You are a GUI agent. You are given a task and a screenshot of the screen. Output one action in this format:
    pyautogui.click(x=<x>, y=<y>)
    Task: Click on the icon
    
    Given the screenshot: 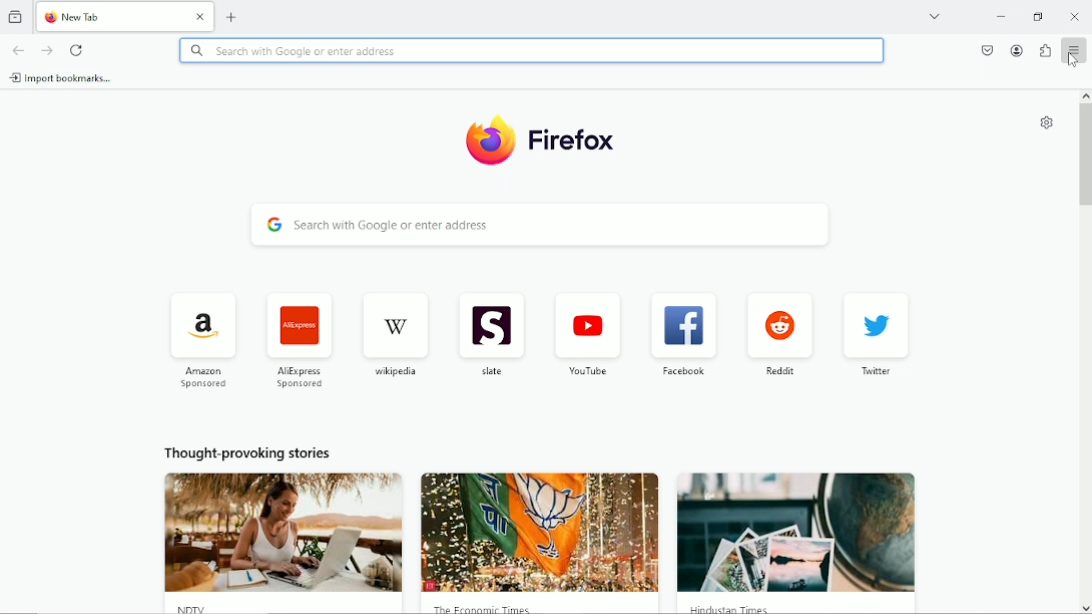 What is the action you would take?
    pyautogui.click(x=486, y=139)
    